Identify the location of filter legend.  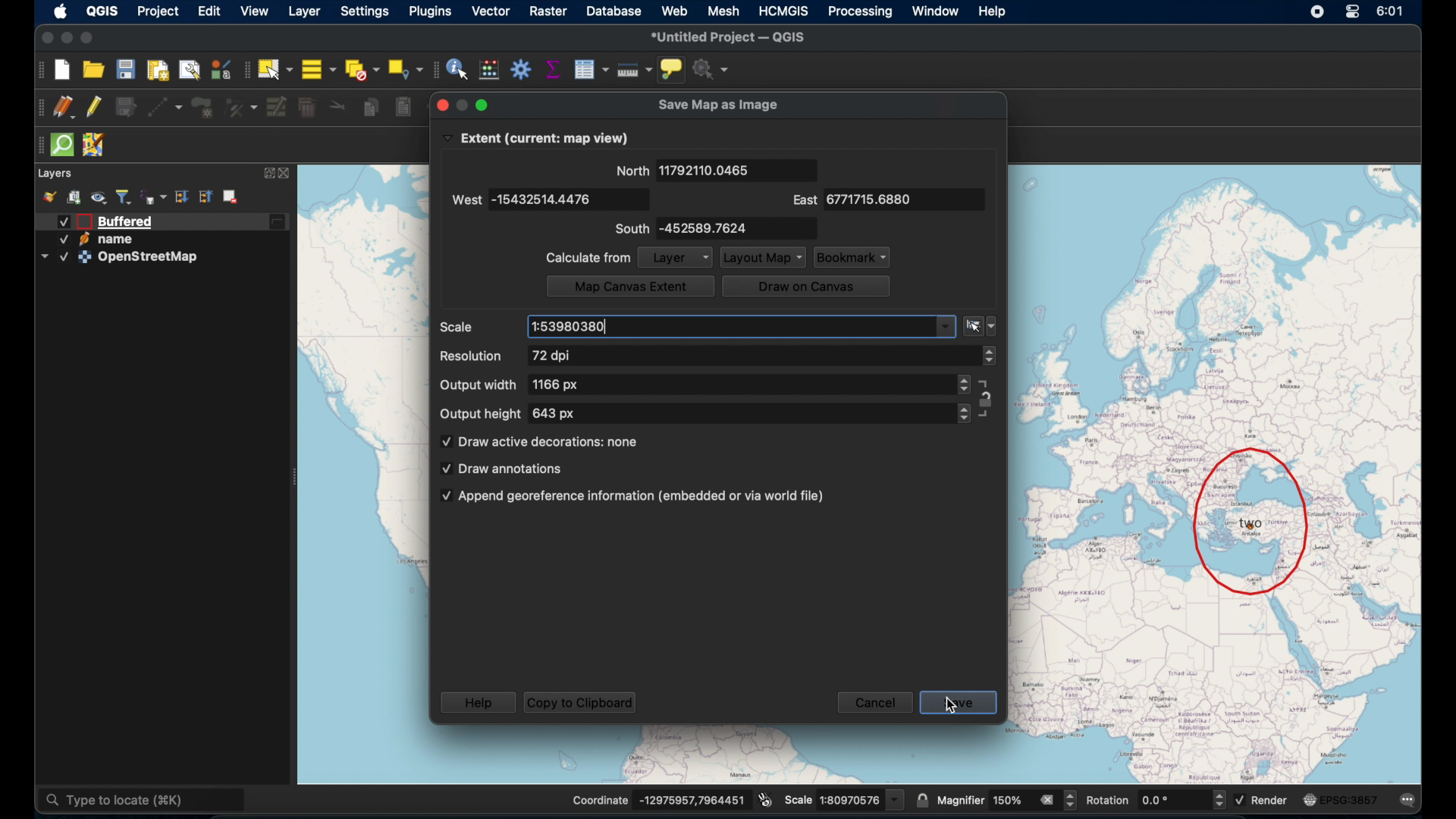
(126, 195).